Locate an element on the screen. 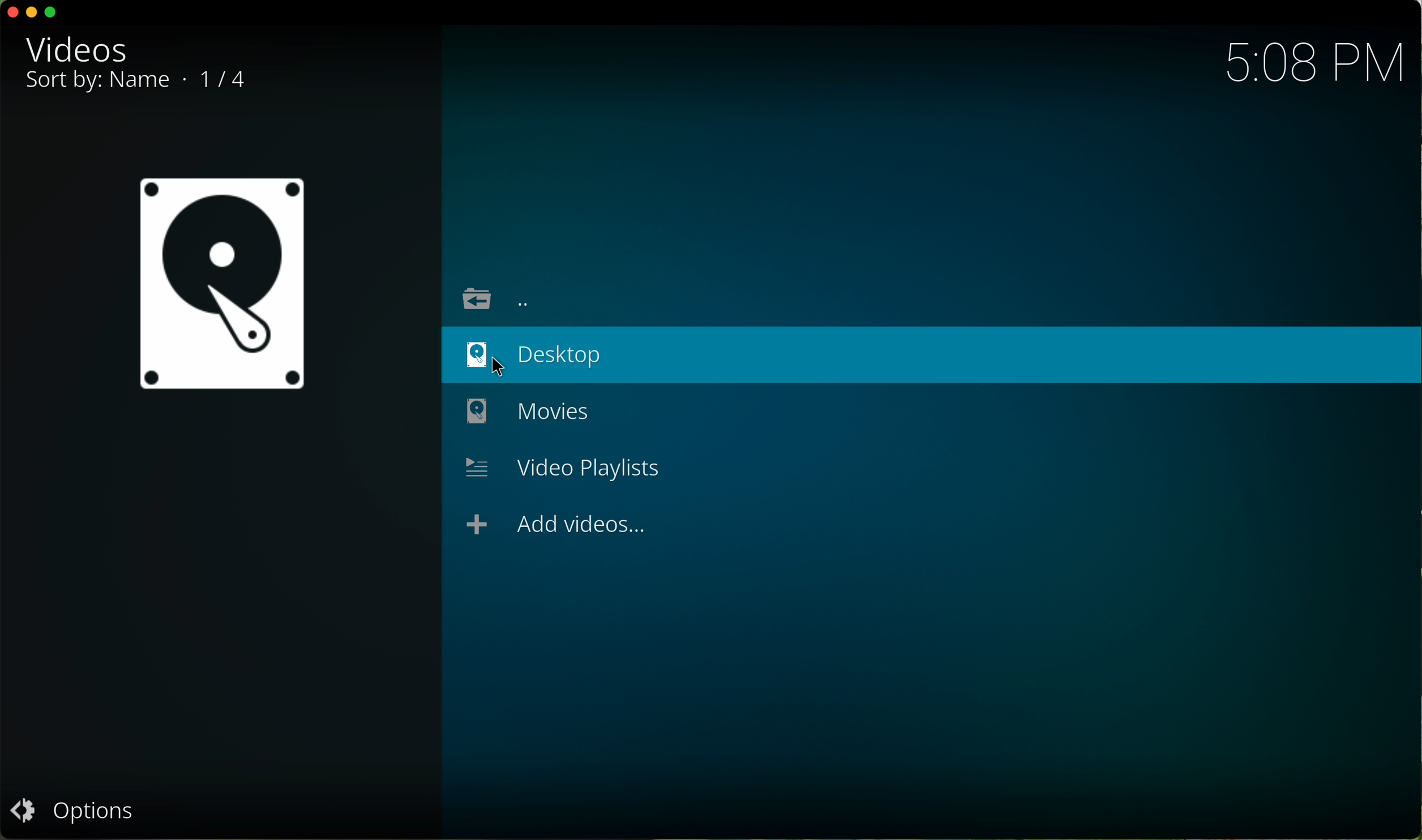  options is located at coordinates (75, 809).